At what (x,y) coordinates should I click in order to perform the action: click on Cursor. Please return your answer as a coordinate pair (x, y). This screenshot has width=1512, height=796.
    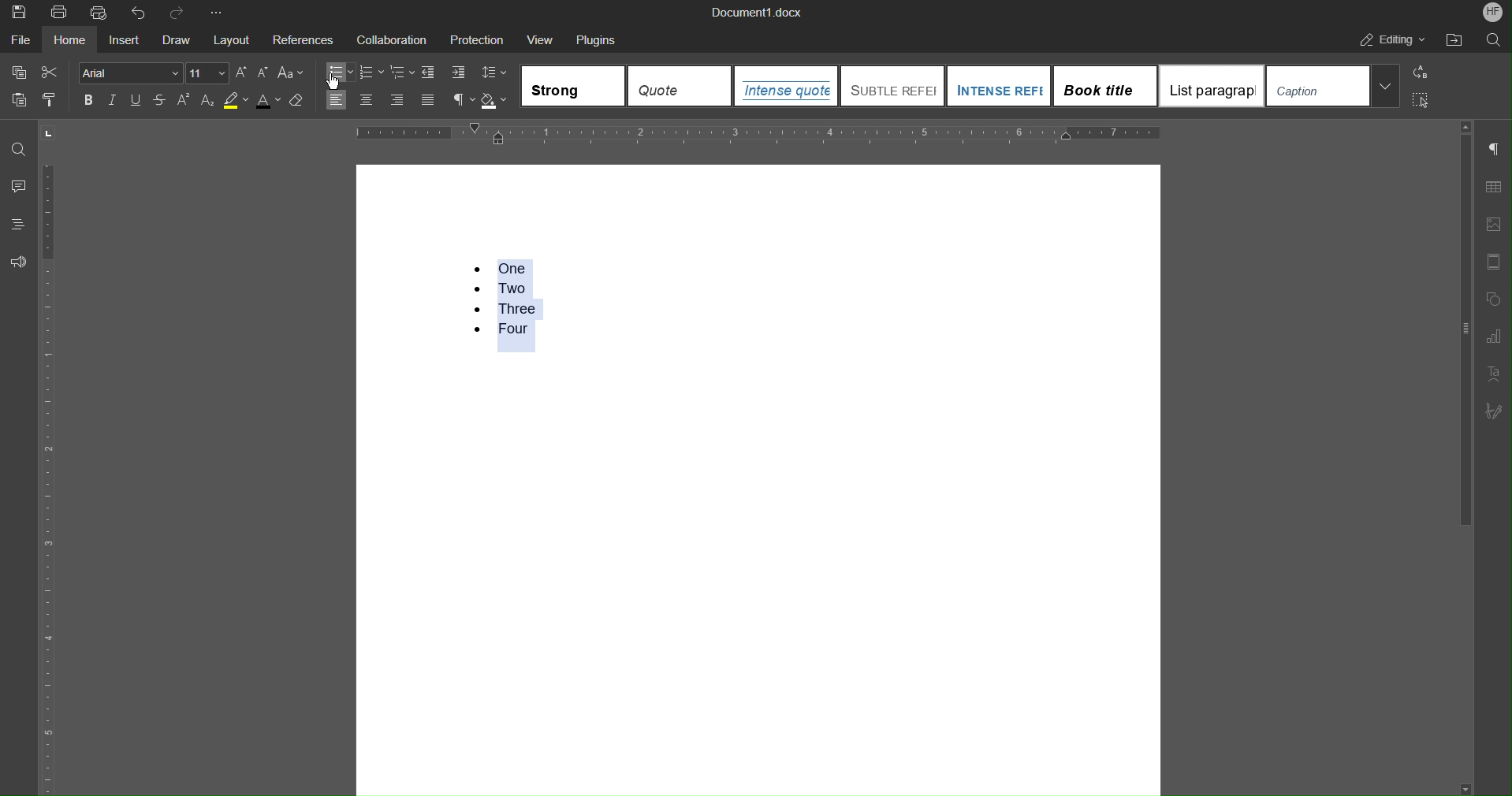
    Looking at the image, I should click on (336, 86).